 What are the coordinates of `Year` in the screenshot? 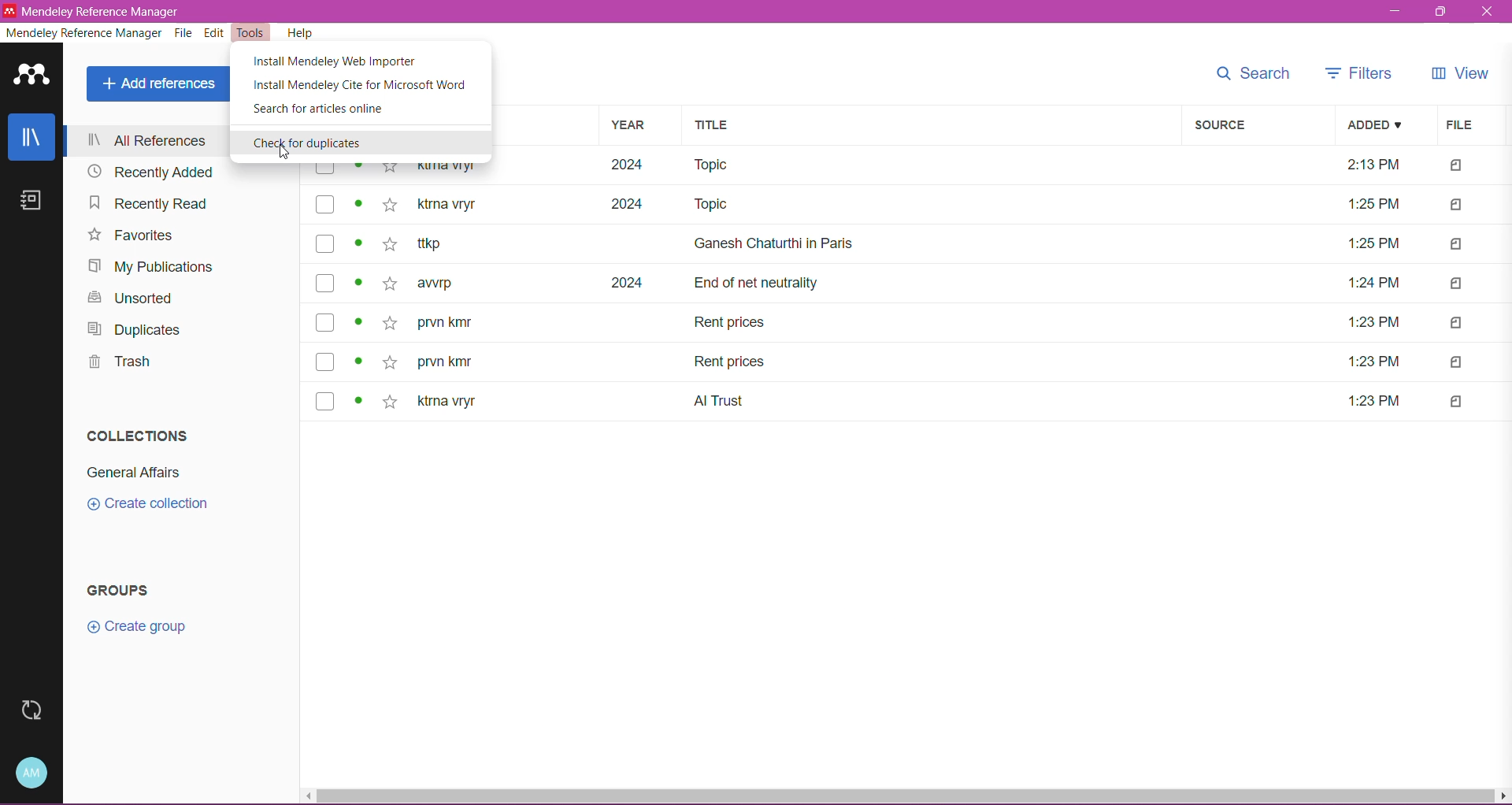 It's located at (638, 127).